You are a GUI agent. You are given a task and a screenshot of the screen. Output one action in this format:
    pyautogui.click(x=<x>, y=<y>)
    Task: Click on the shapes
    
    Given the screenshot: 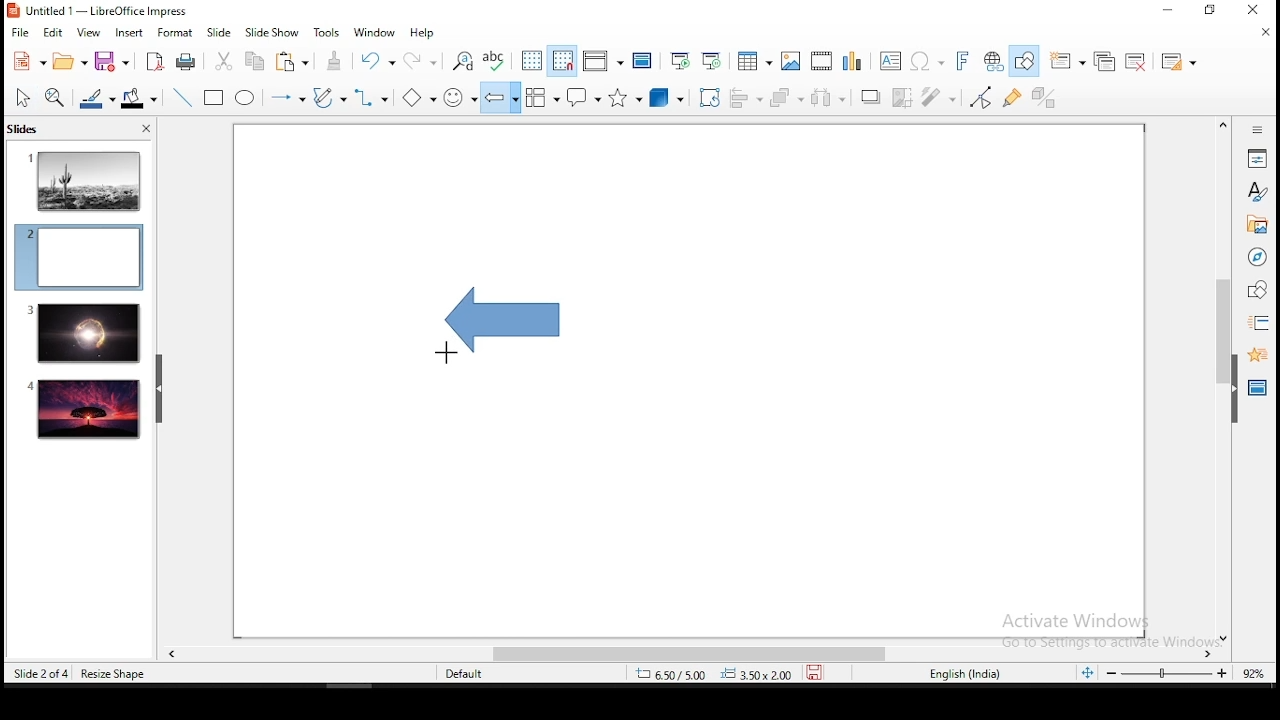 What is the action you would take?
    pyautogui.click(x=1255, y=290)
    